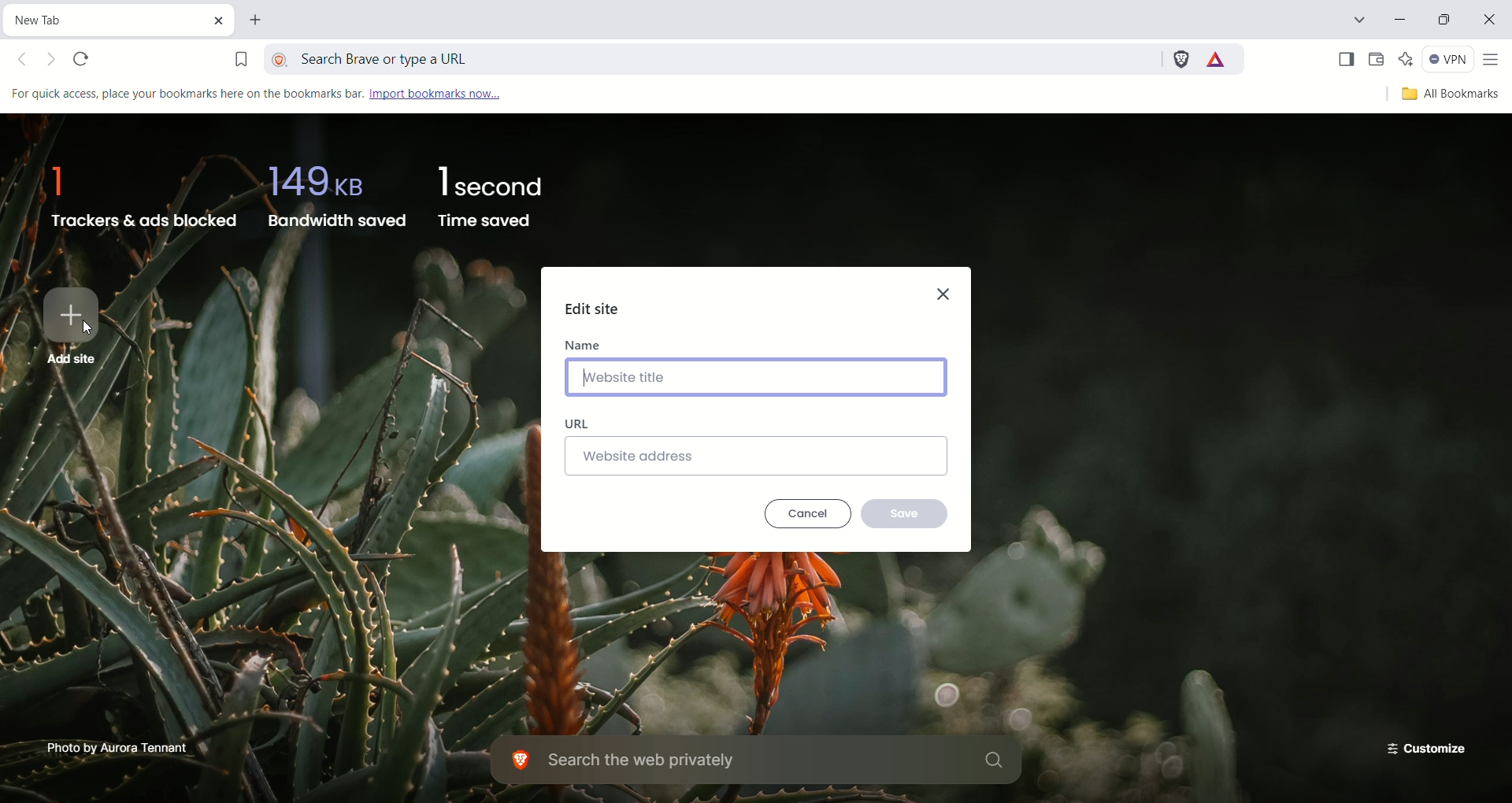 This screenshot has height=803, width=1512. I want to click on name, so click(584, 343).